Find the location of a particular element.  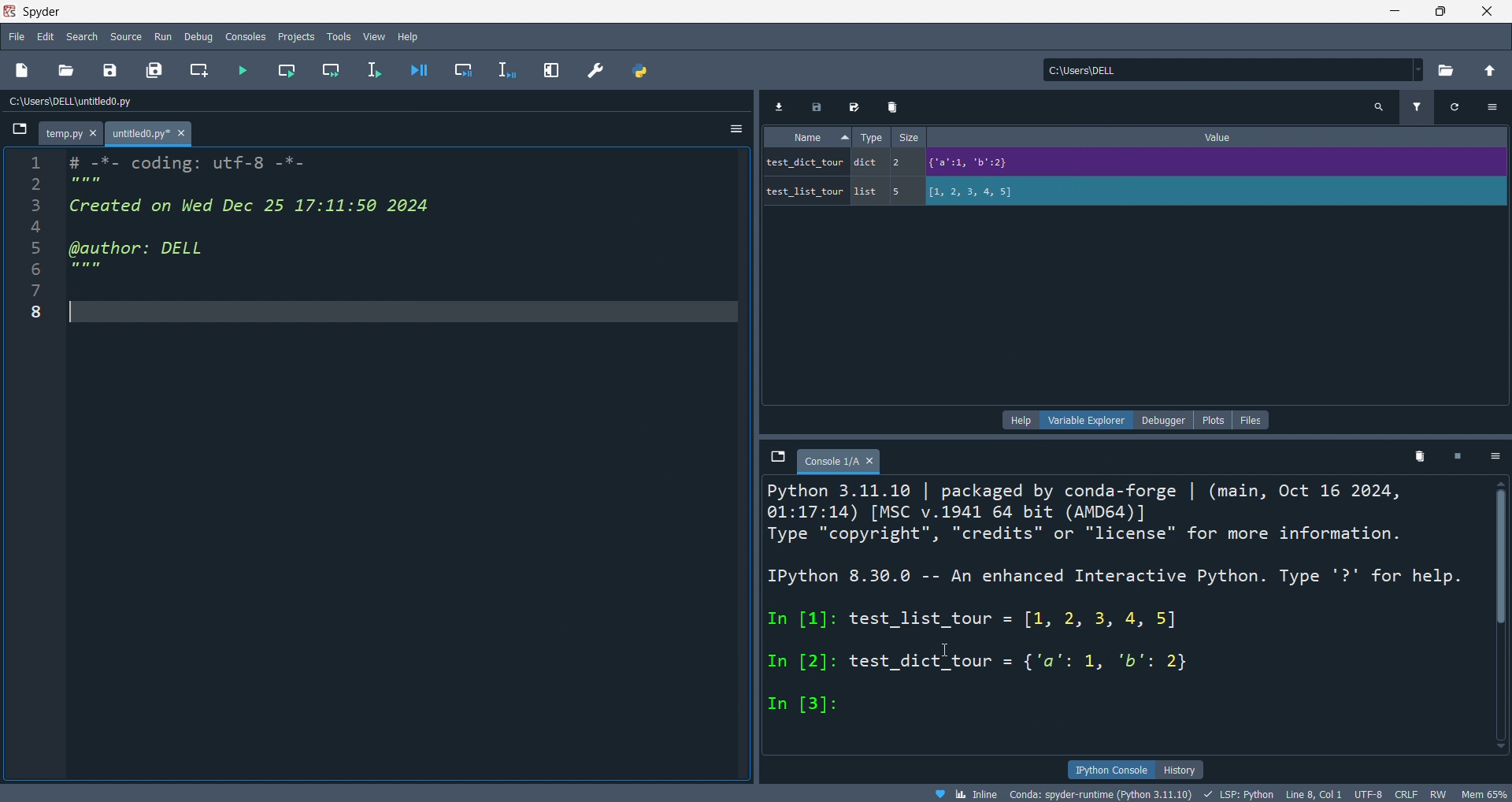

open fil is located at coordinates (70, 71).